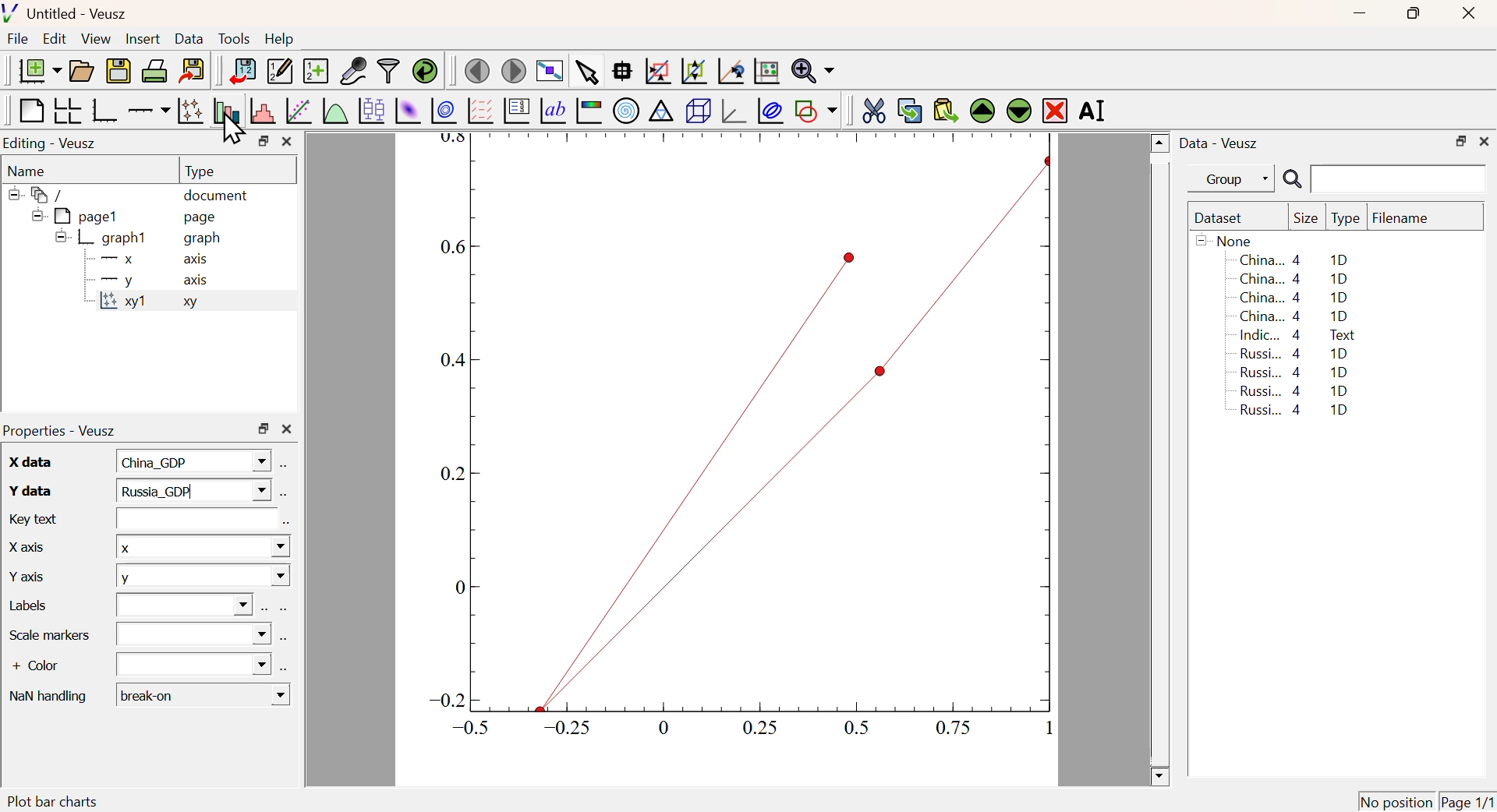 The width and height of the screenshot is (1497, 812). What do you see at coordinates (203, 578) in the screenshot?
I see `Y` at bounding box center [203, 578].